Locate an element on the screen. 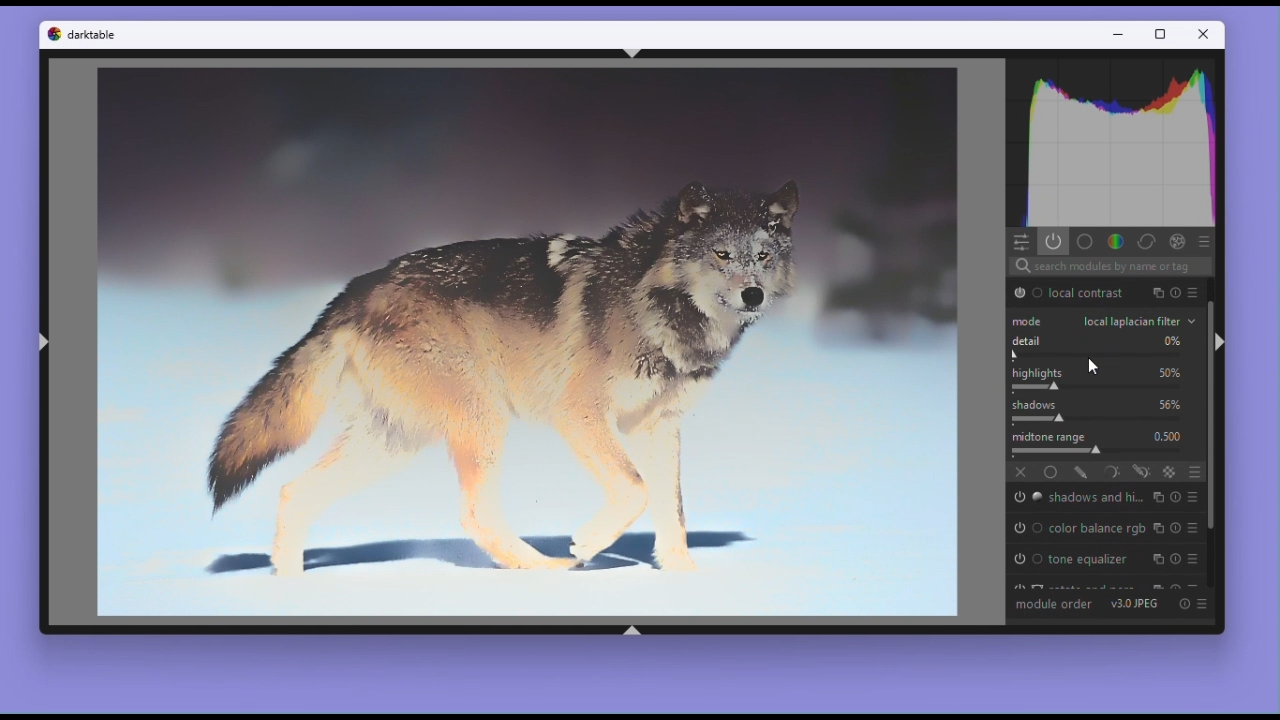 This screenshot has width=1280, height=720. change the local contrast of shadows is located at coordinates (1039, 419).